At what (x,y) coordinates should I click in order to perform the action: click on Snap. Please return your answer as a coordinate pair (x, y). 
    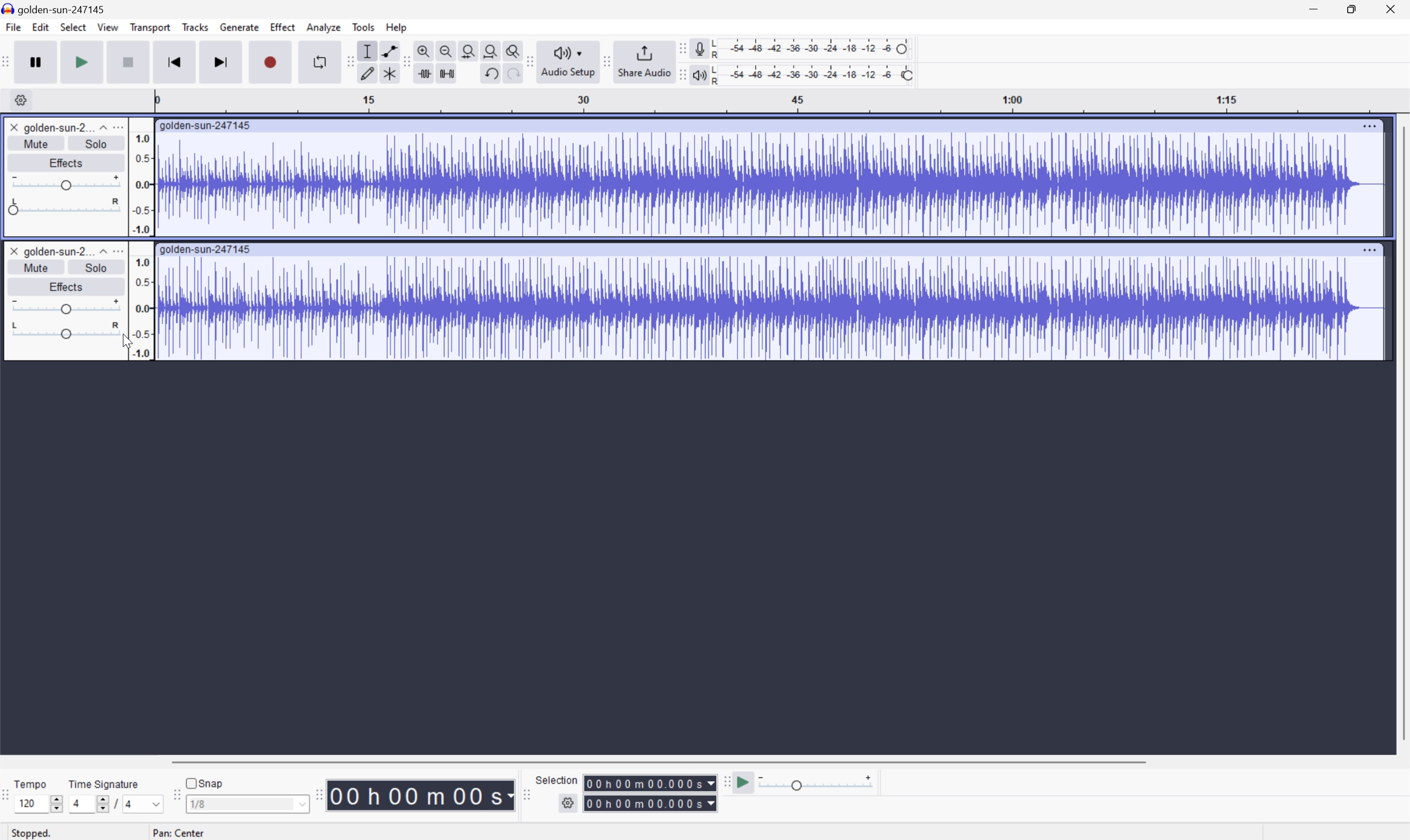
    Looking at the image, I should click on (206, 783).